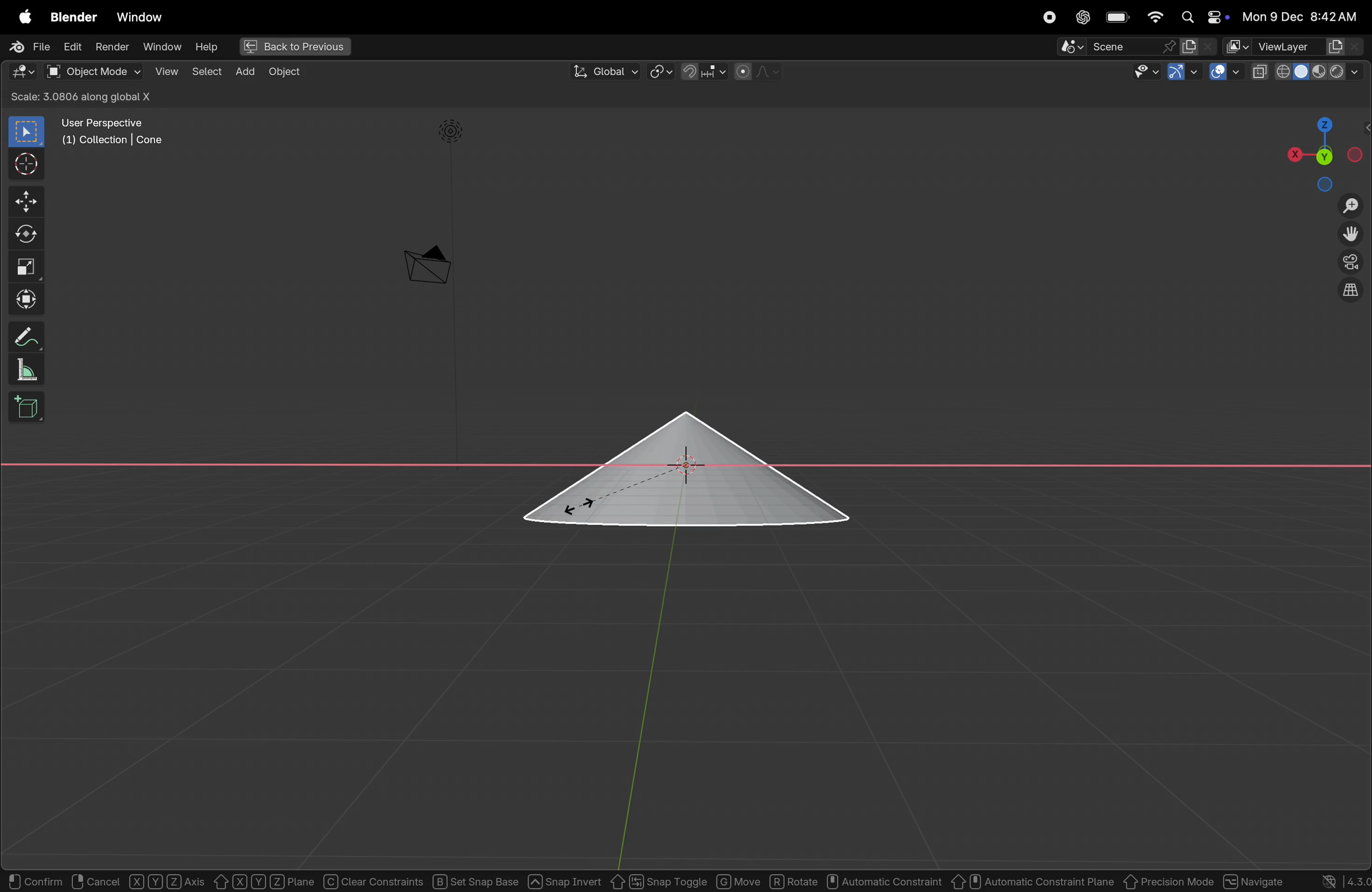 Image resolution: width=1372 pixels, height=892 pixels. Describe the element at coordinates (1169, 882) in the screenshot. I see `Previous mode` at that location.